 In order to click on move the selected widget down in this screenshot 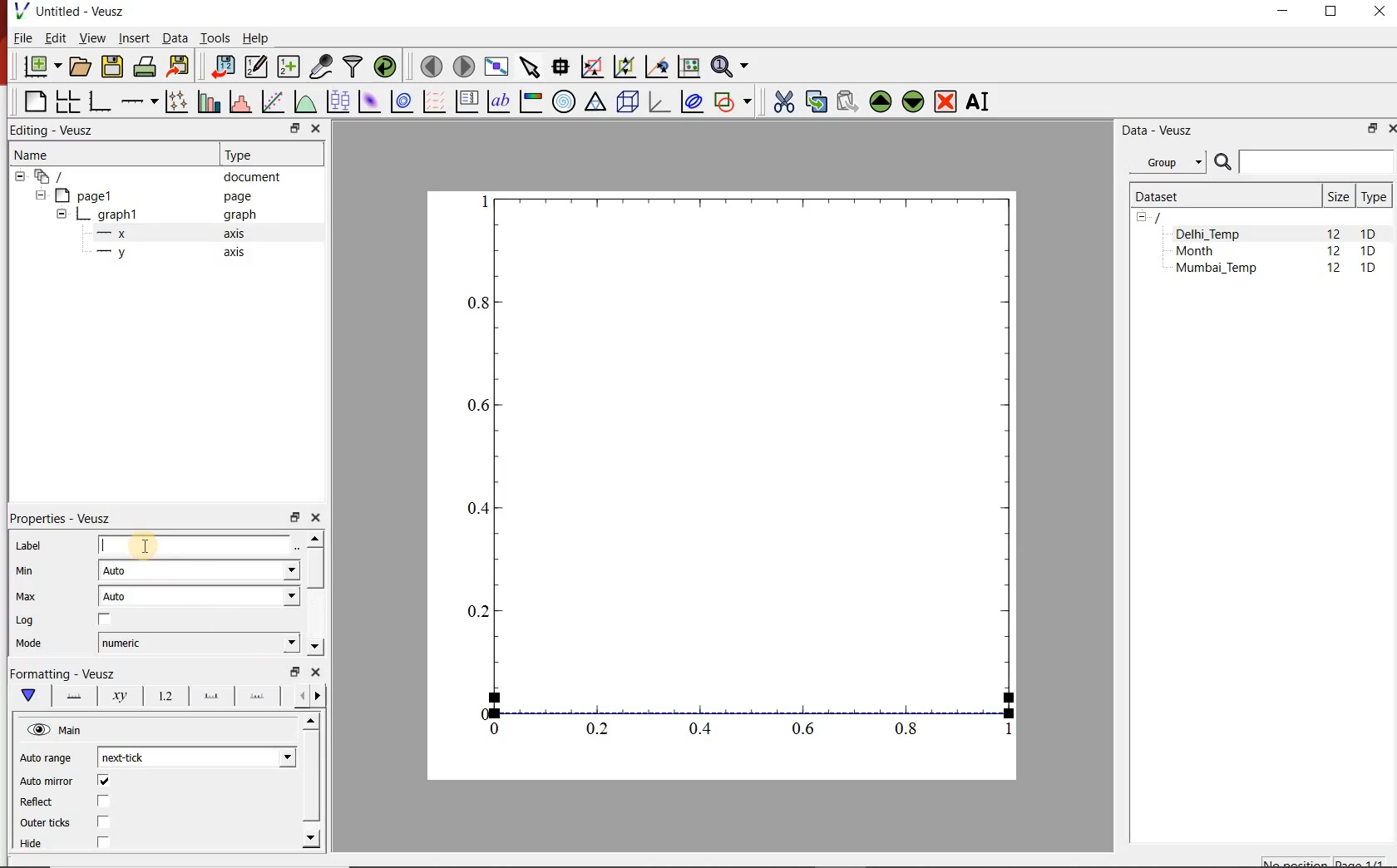, I will do `click(913, 102)`.